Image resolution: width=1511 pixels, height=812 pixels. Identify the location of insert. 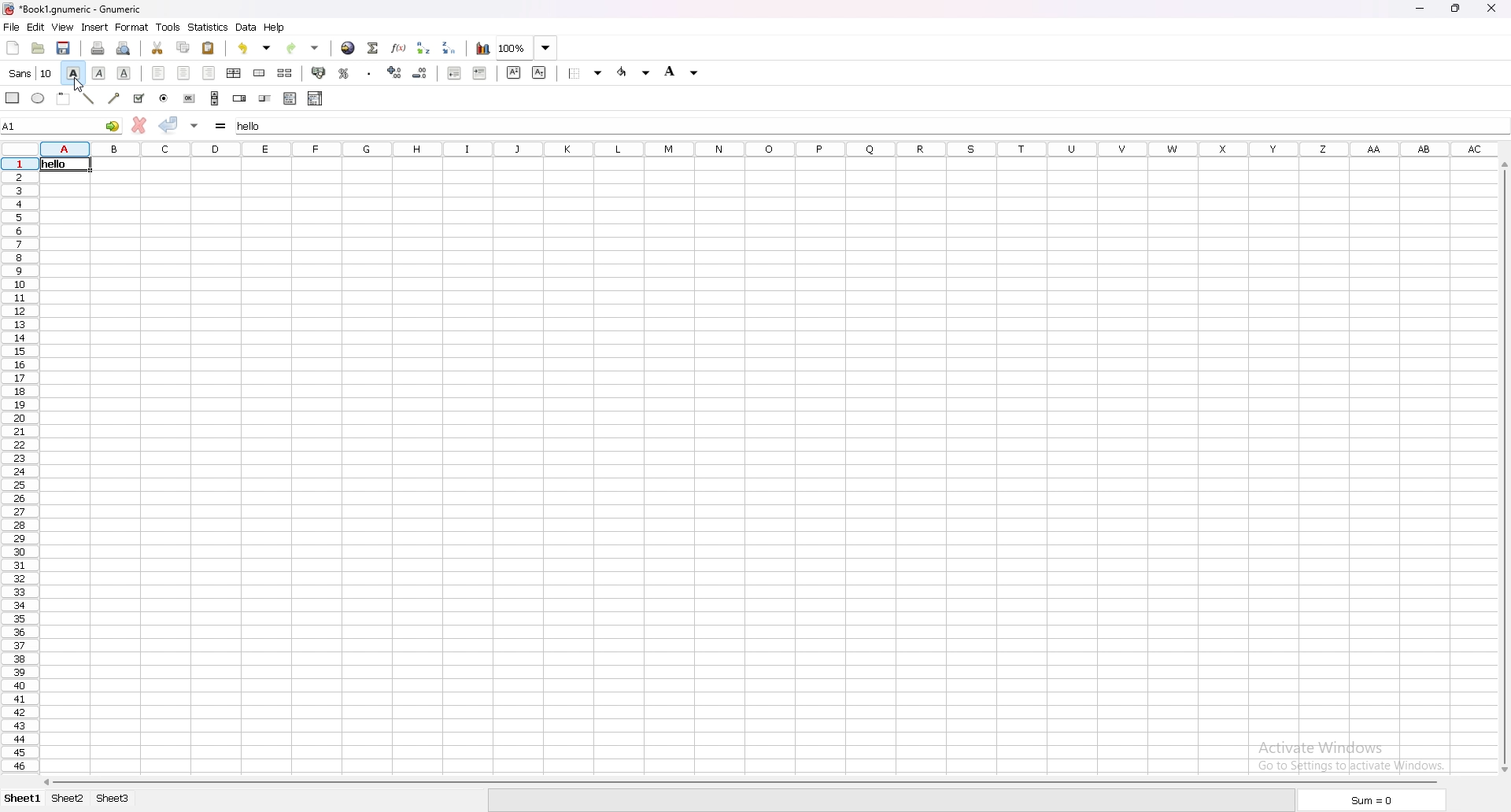
(94, 28).